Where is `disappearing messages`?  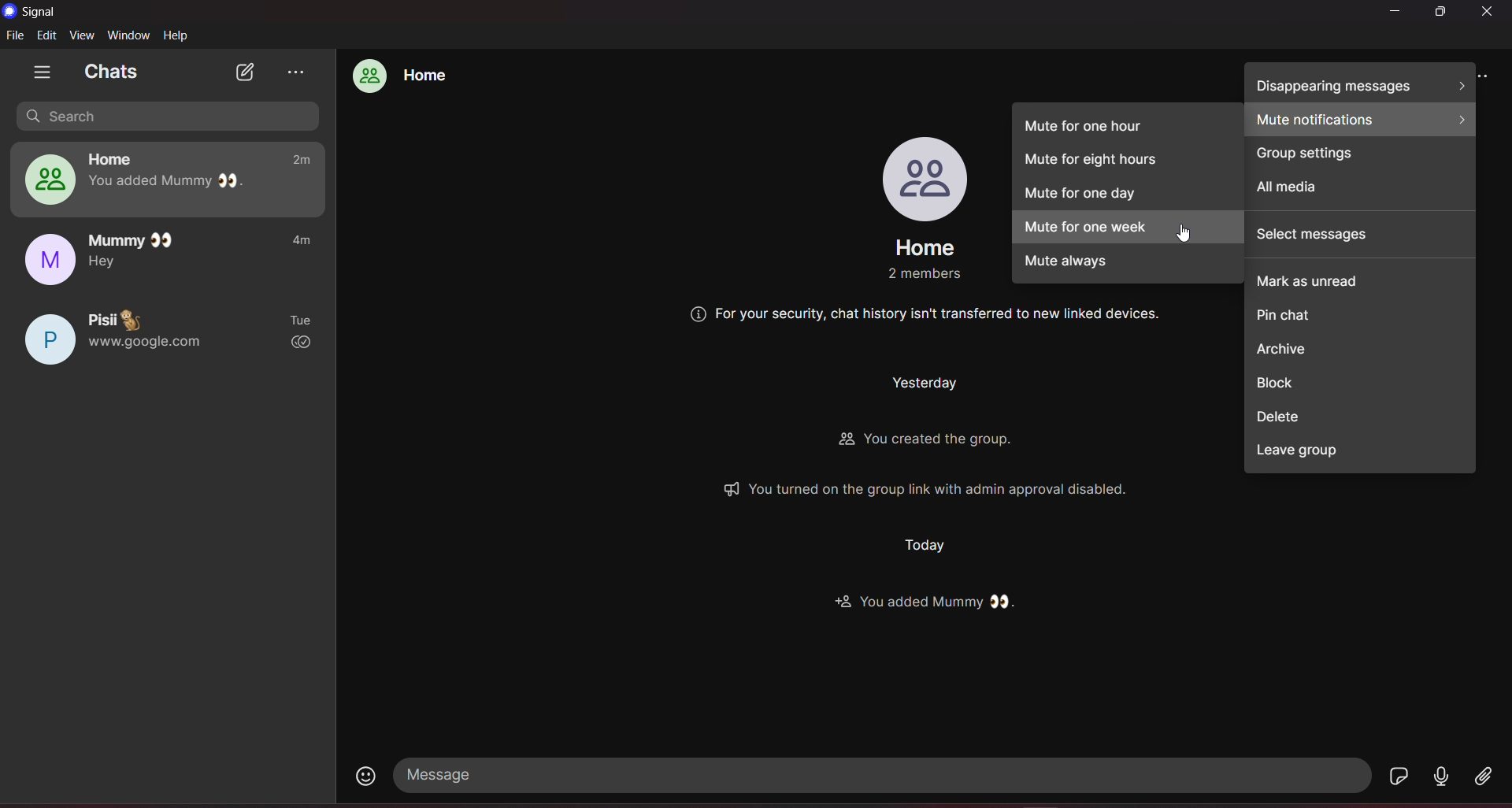
disappearing messages is located at coordinates (1363, 83).